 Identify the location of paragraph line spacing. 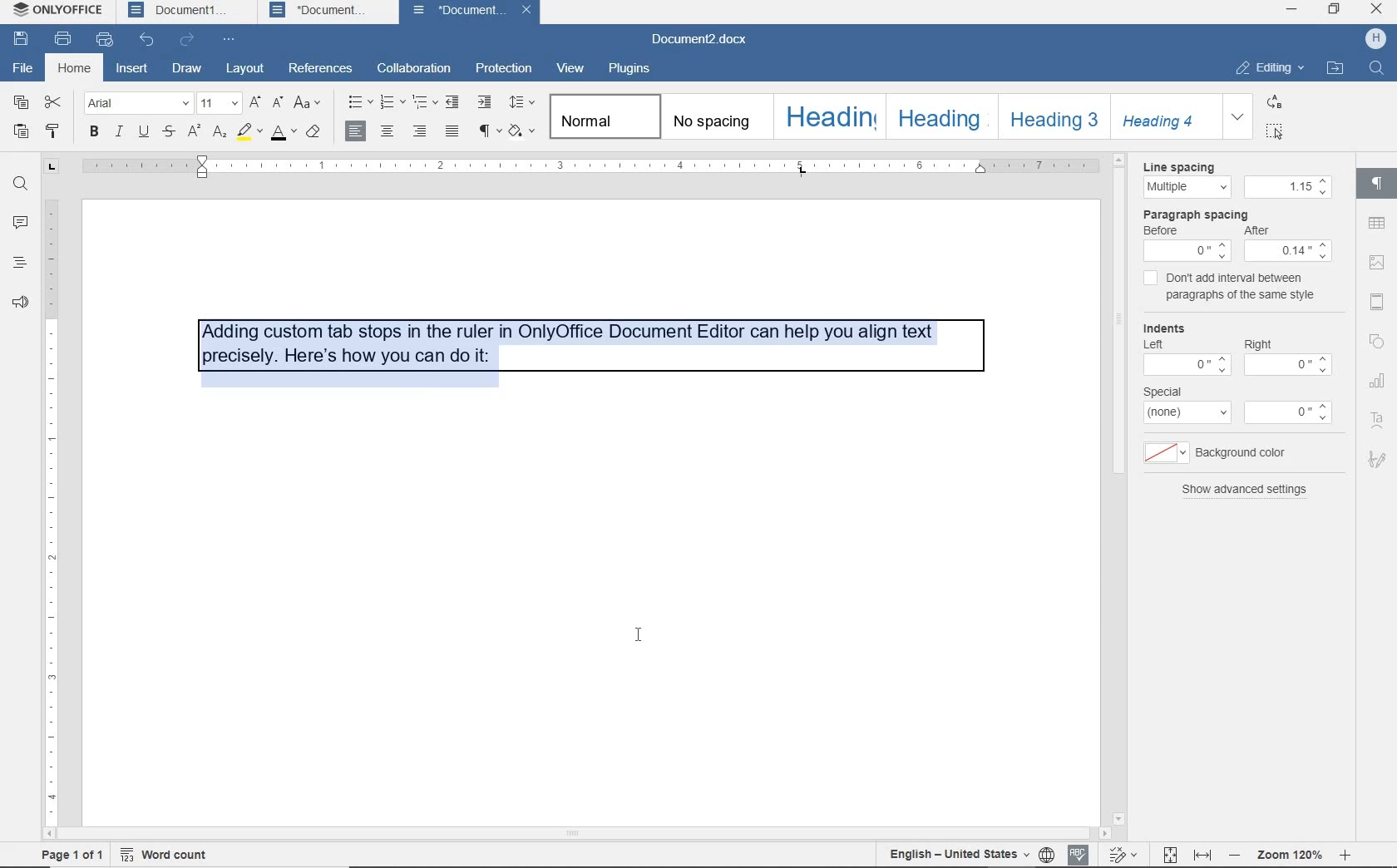
(522, 101).